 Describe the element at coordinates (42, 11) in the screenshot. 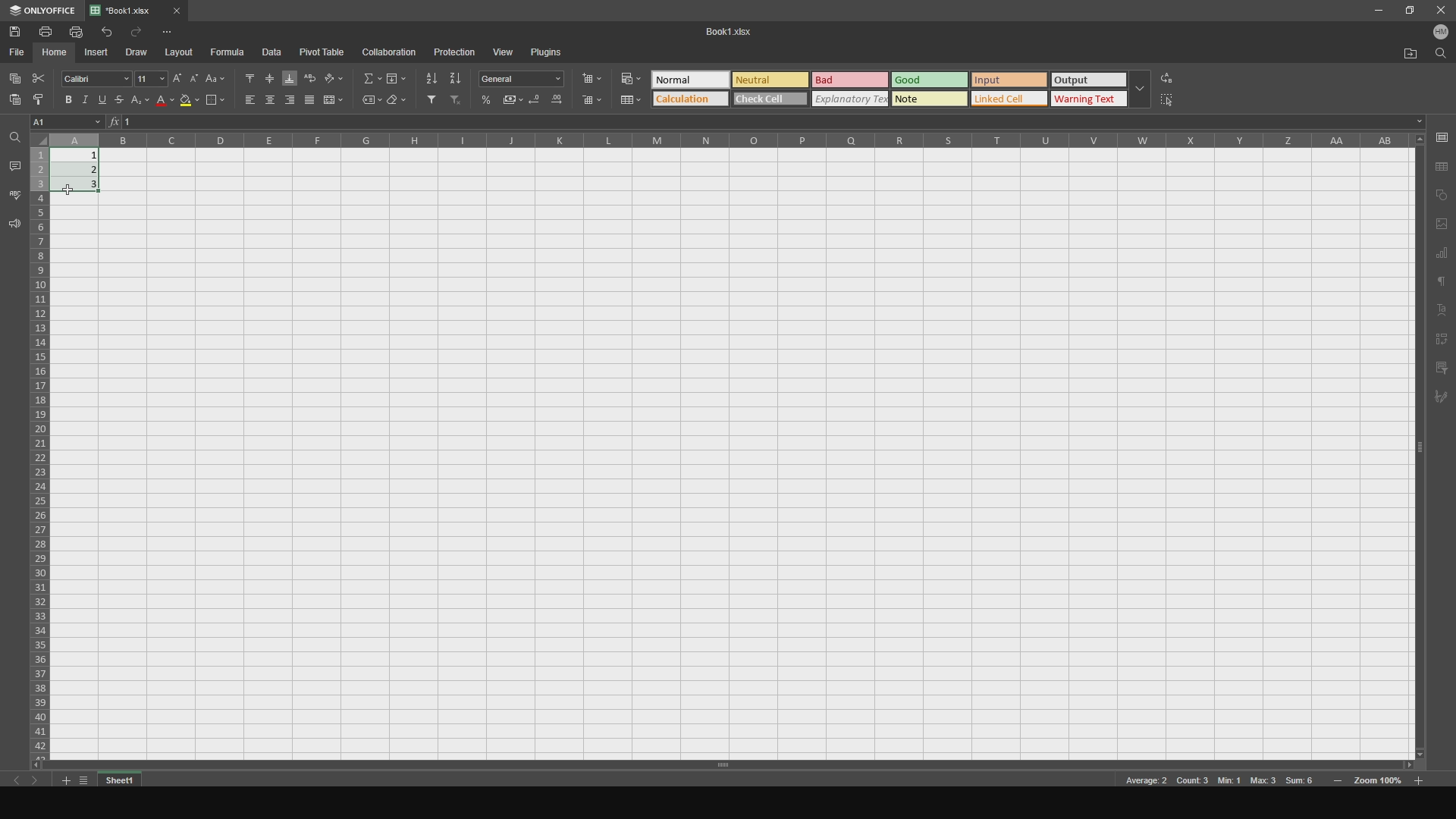

I see `onlyoffice` at that location.